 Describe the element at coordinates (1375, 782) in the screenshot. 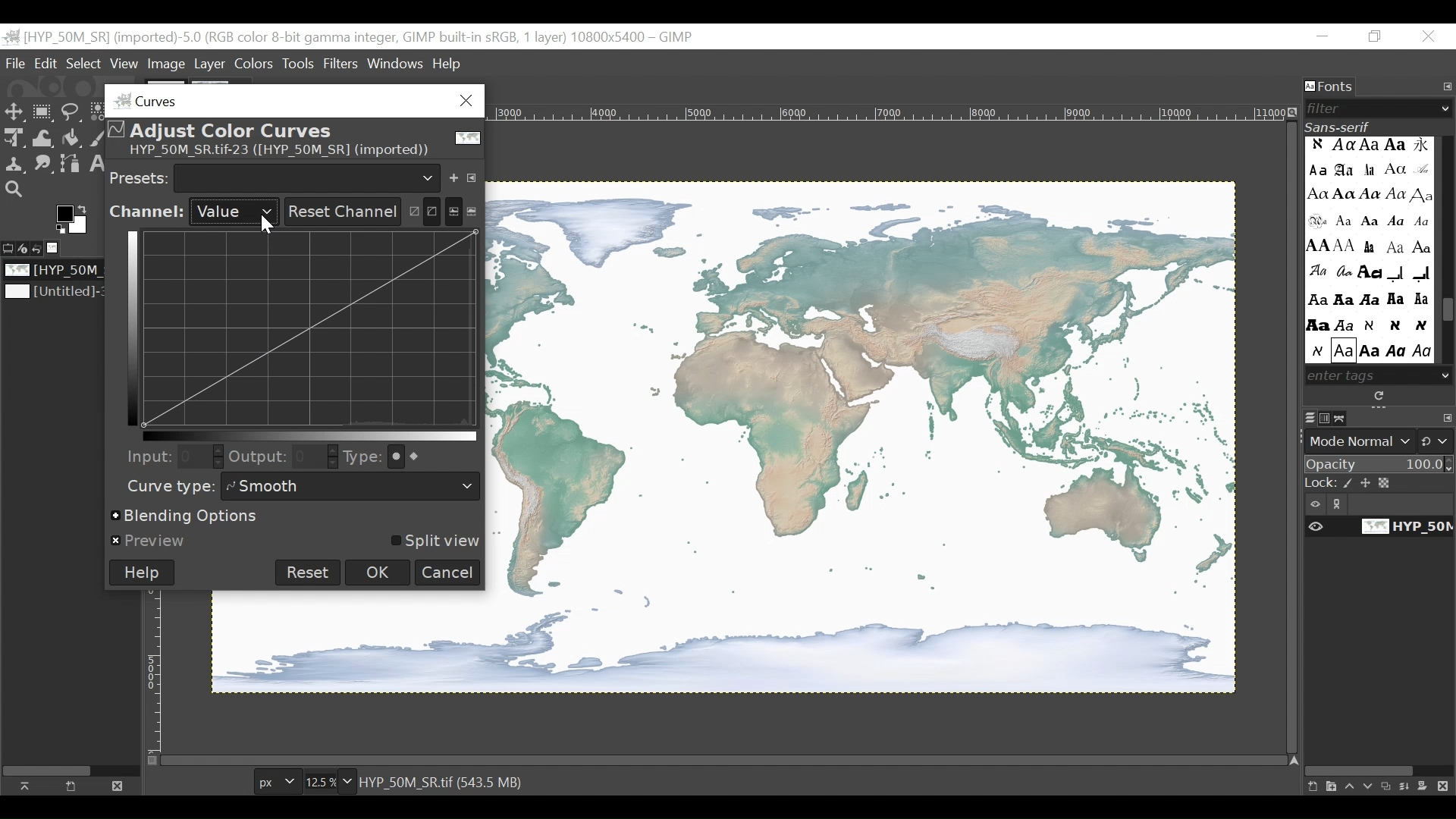

I see `layer panel` at that location.